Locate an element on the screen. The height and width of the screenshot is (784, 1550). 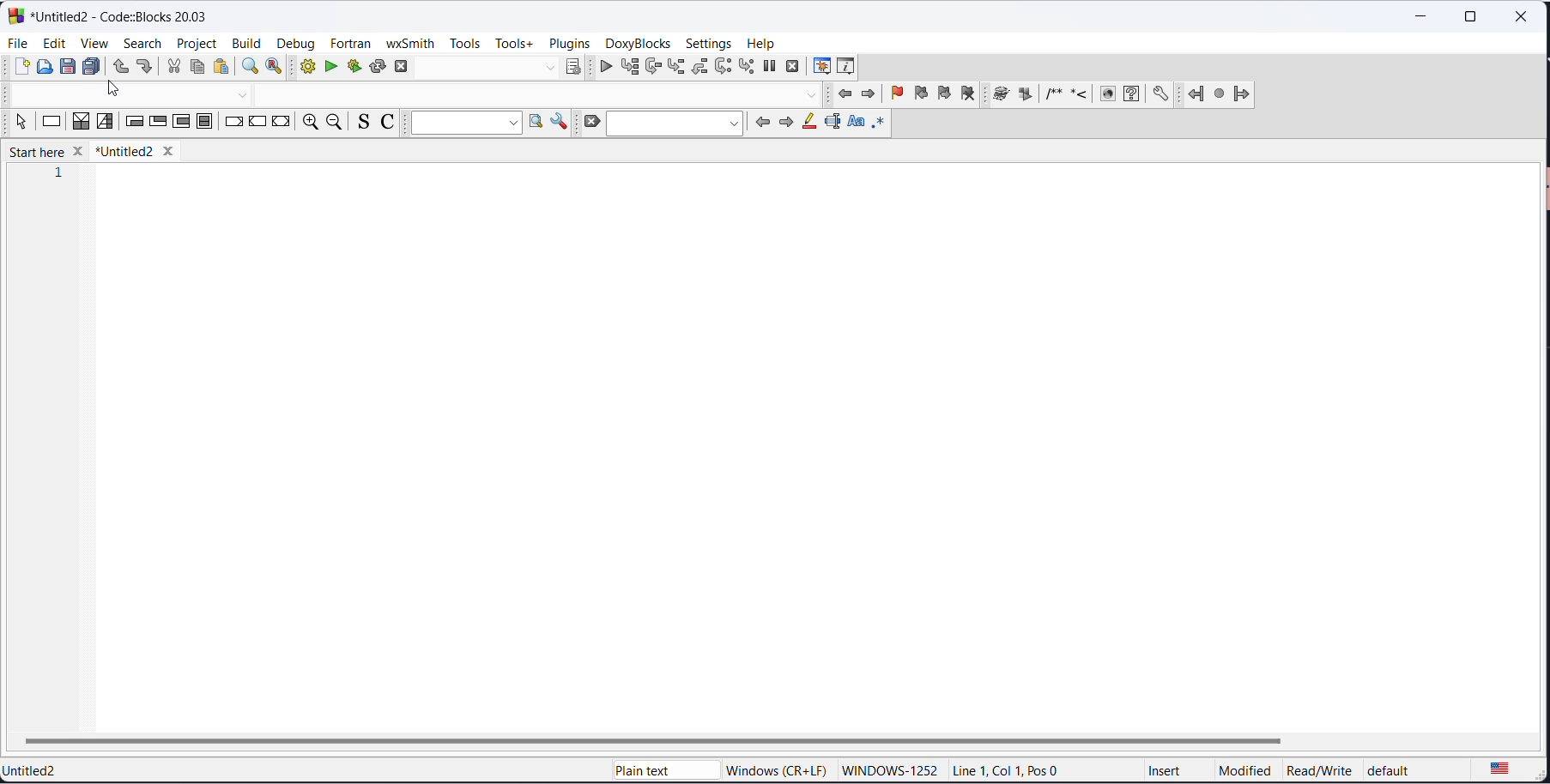
Tools is located at coordinates (464, 43).